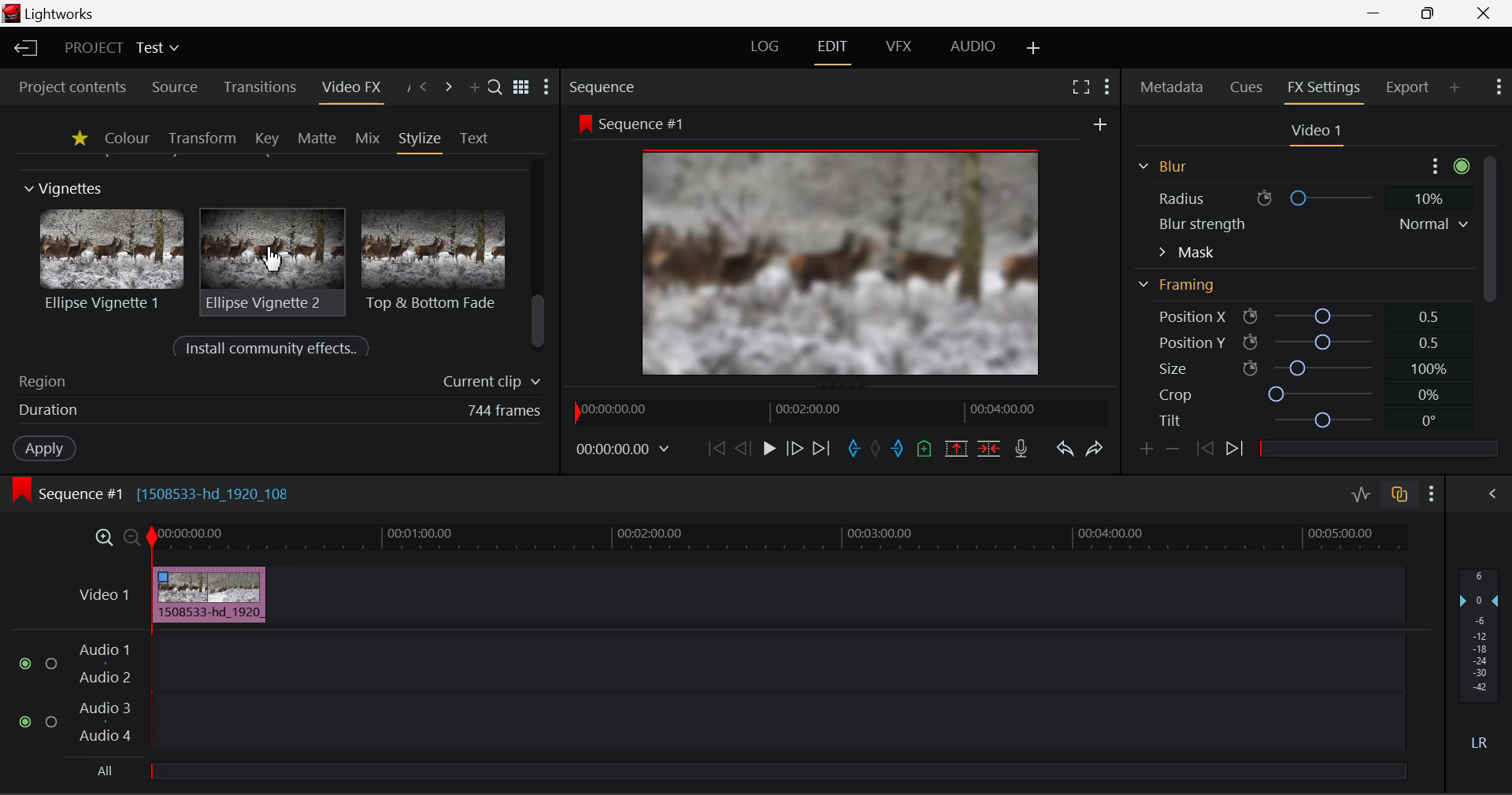 Image resolution: width=1512 pixels, height=795 pixels. Describe the element at coordinates (1235, 452) in the screenshot. I see `Next keyframe` at that location.